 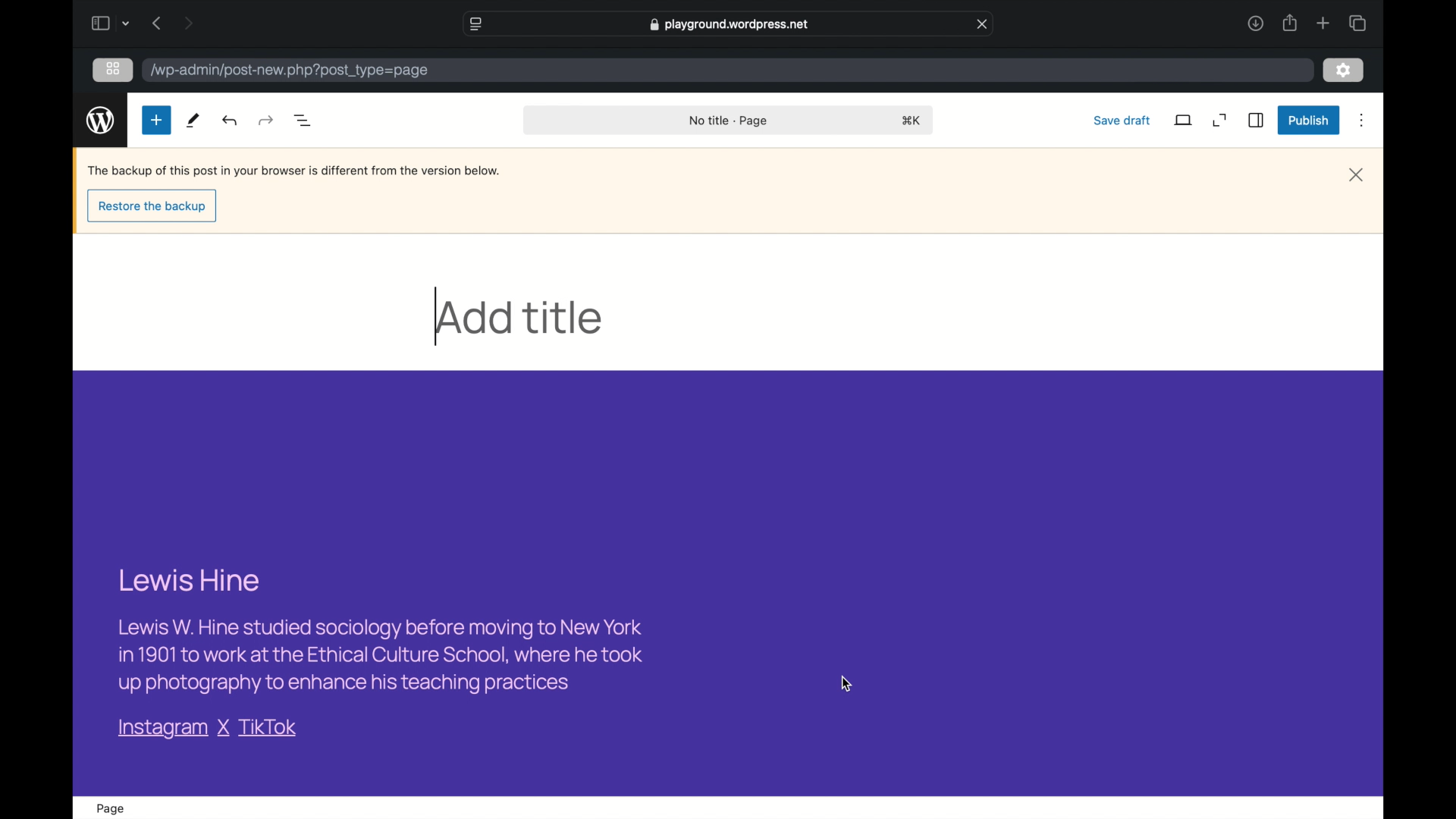 I want to click on playground.wordpress.net, so click(x=730, y=24).